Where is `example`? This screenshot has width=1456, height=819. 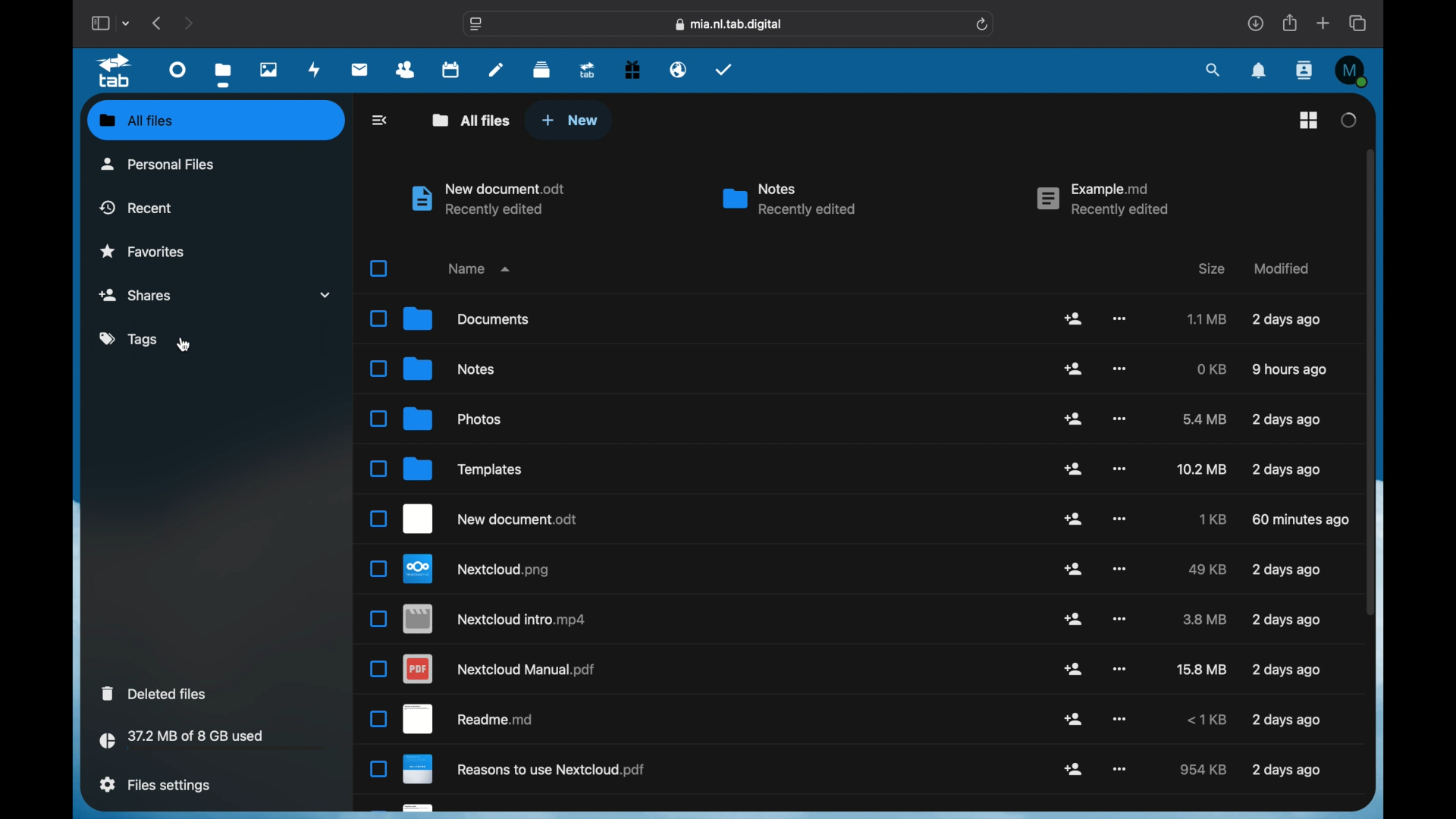 example is located at coordinates (1101, 200).